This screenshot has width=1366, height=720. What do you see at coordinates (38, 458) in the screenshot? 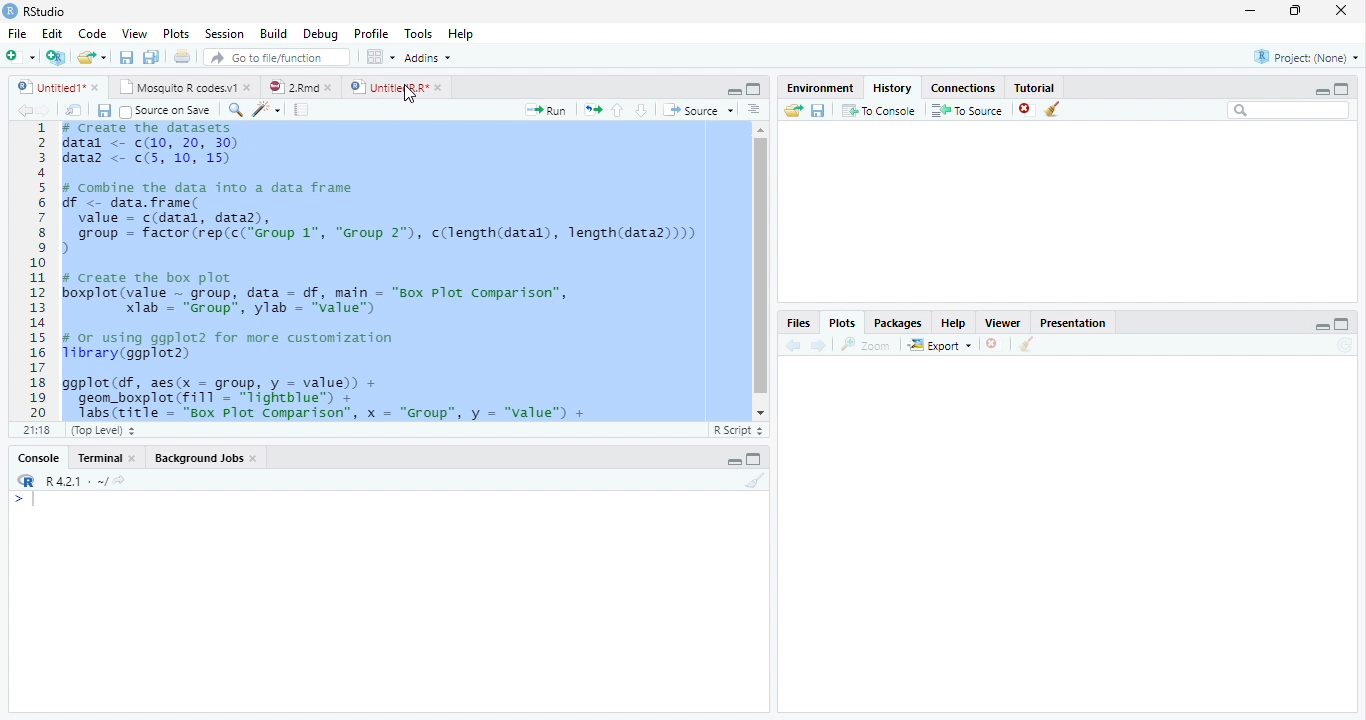
I see `Console` at bounding box center [38, 458].